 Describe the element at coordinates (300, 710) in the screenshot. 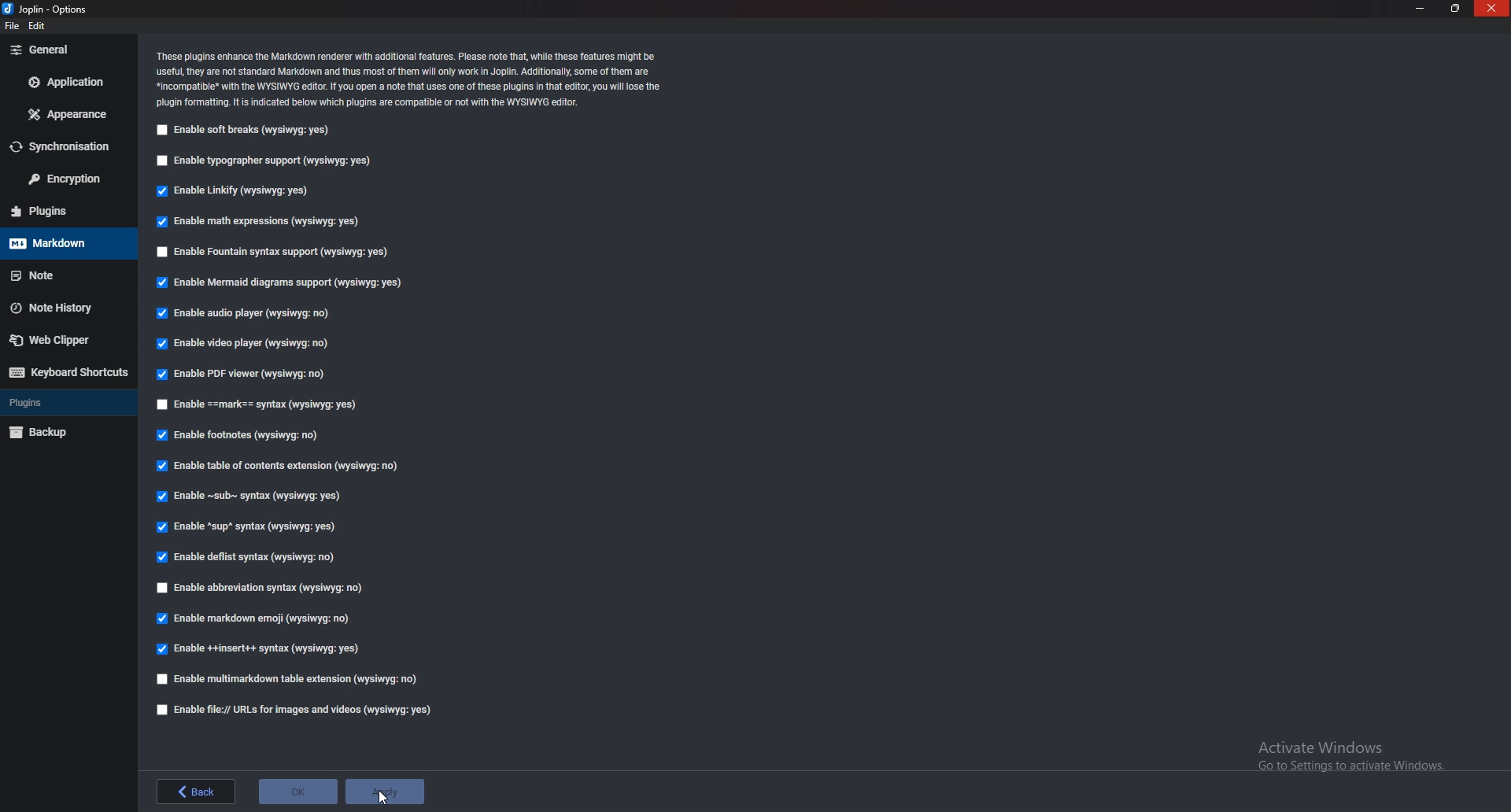

I see `Enable file urls for images and videos` at that location.